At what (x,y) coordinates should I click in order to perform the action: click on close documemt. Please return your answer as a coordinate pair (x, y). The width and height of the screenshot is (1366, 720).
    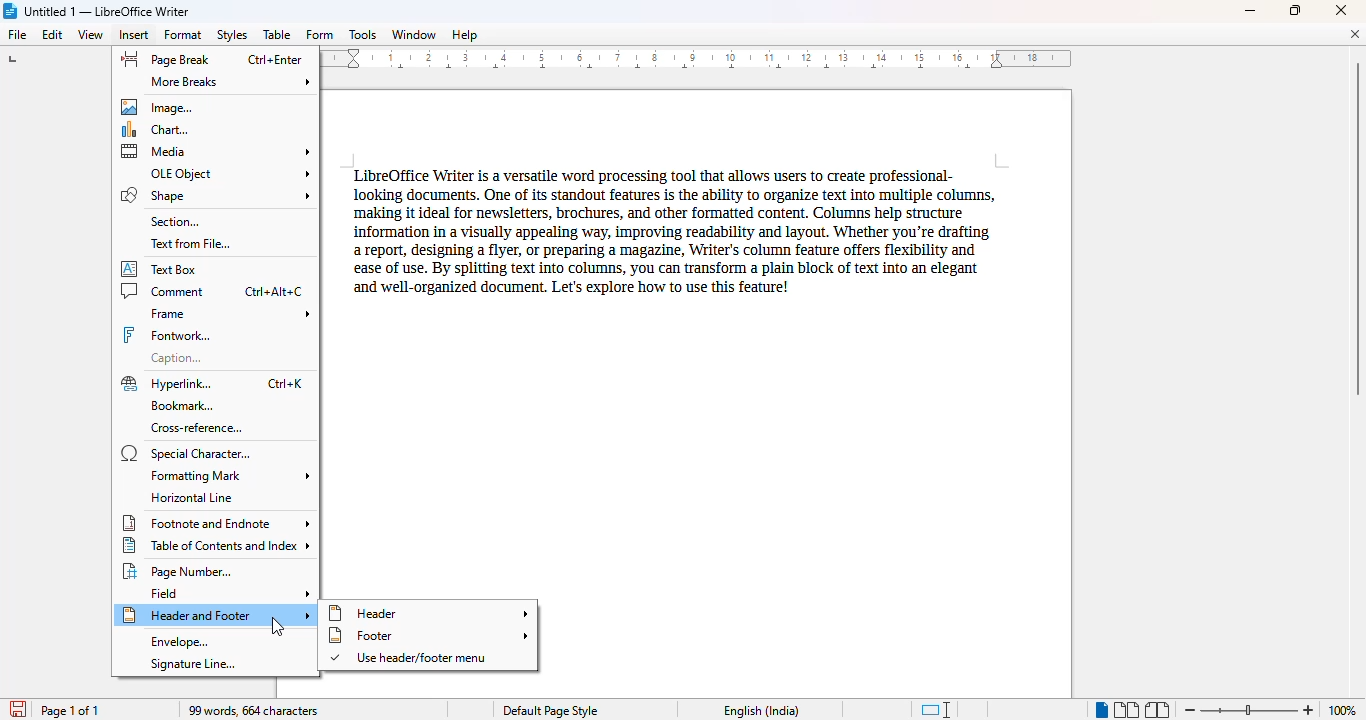
    Looking at the image, I should click on (1355, 34).